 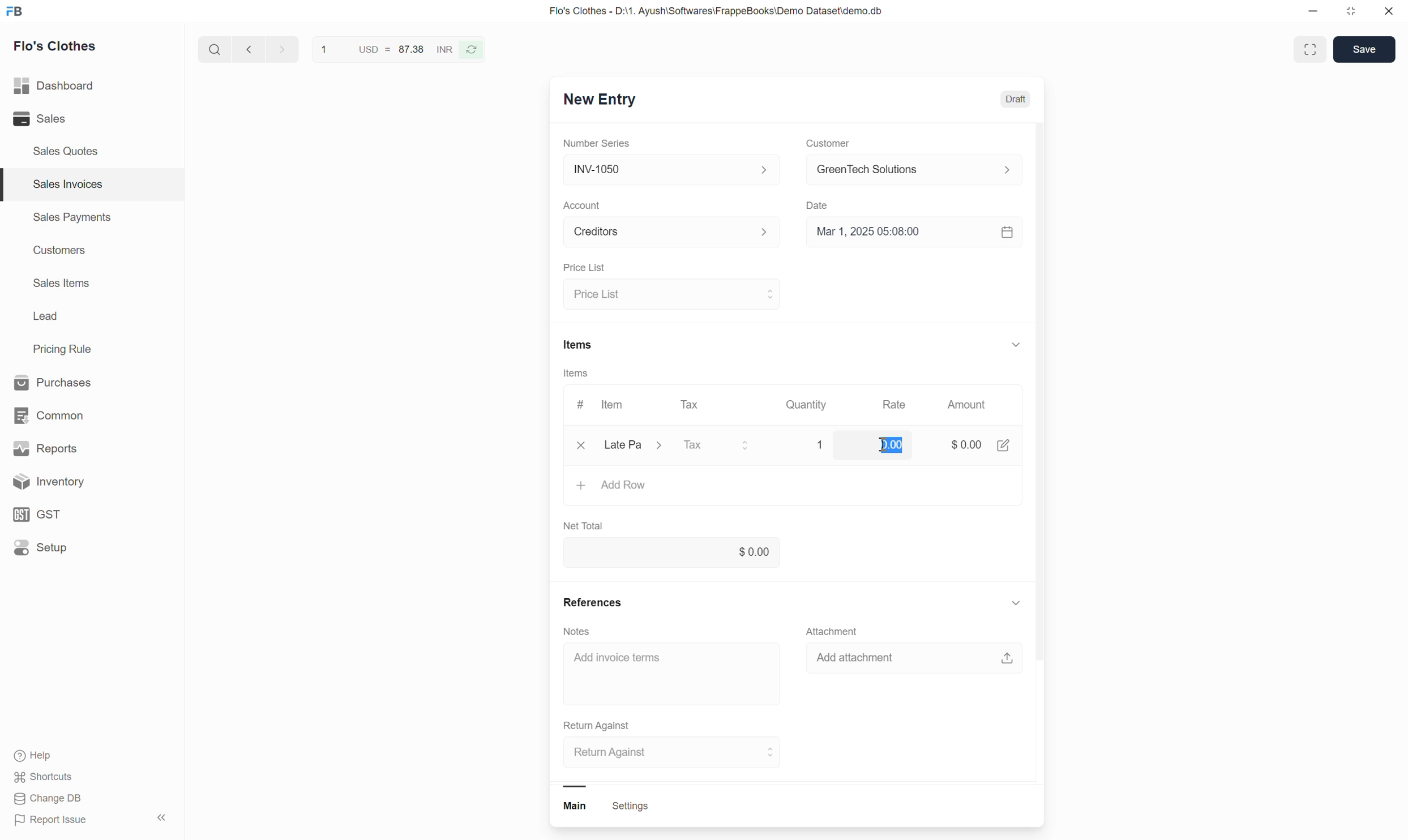 What do you see at coordinates (59, 755) in the screenshot?
I see `Help` at bounding box center [59, 755].